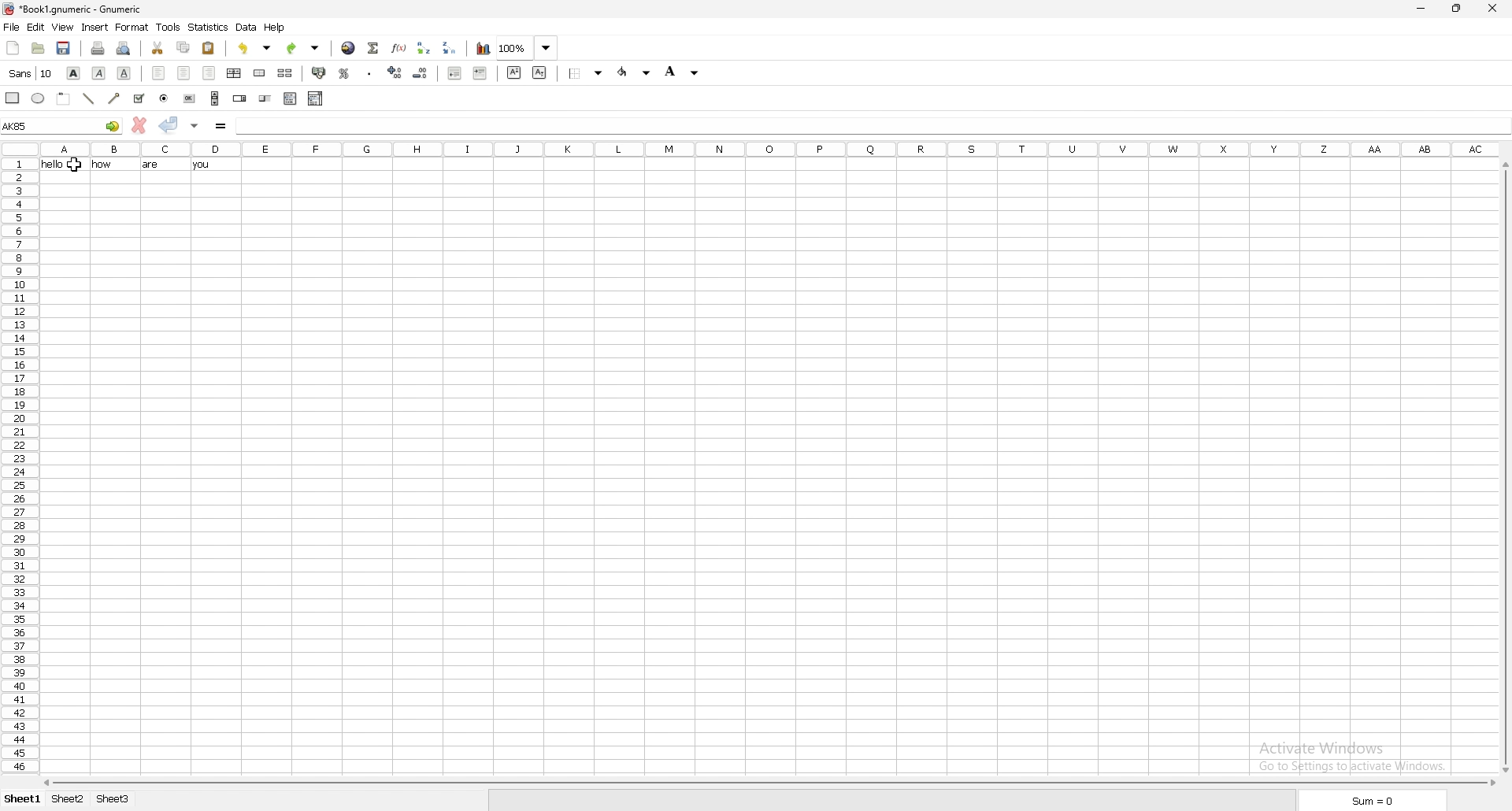  Describe the element at coordinates (1494, 9) in the screenshot. I see `close` at that location.